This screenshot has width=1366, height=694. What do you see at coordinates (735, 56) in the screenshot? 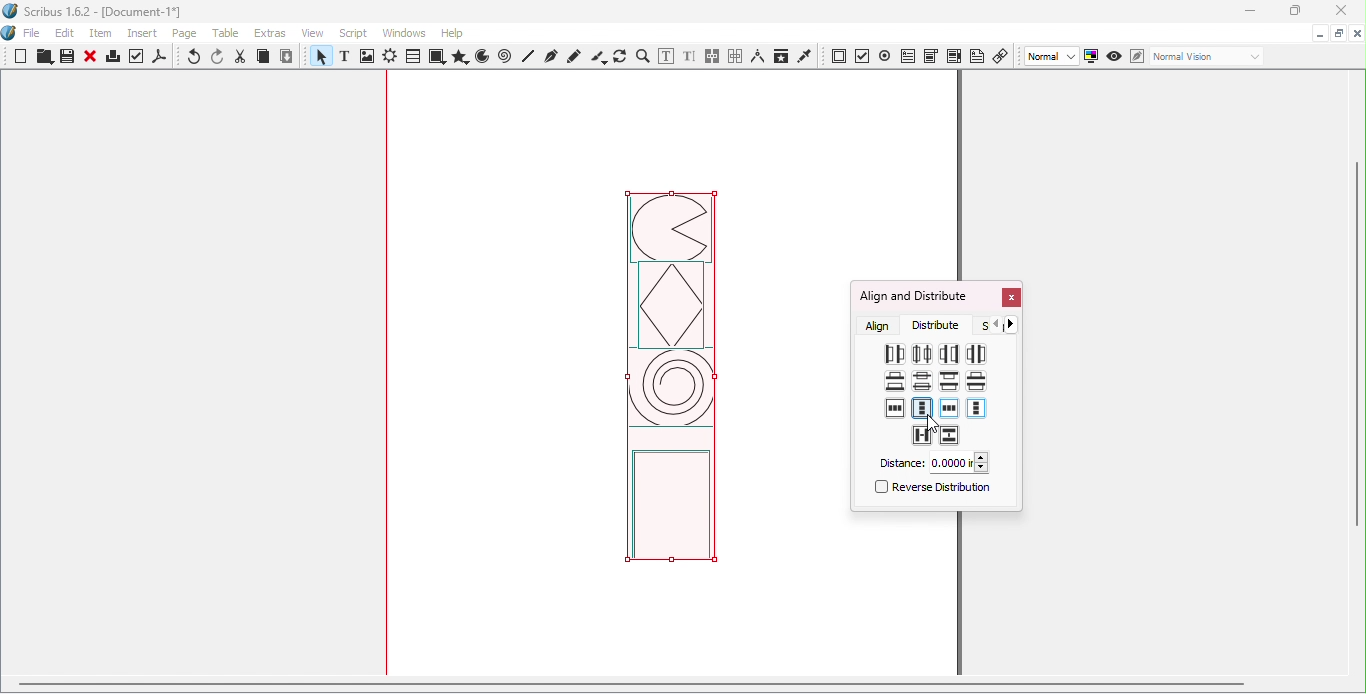
I see `Unlink text frames` at bounding box center [735, 56].